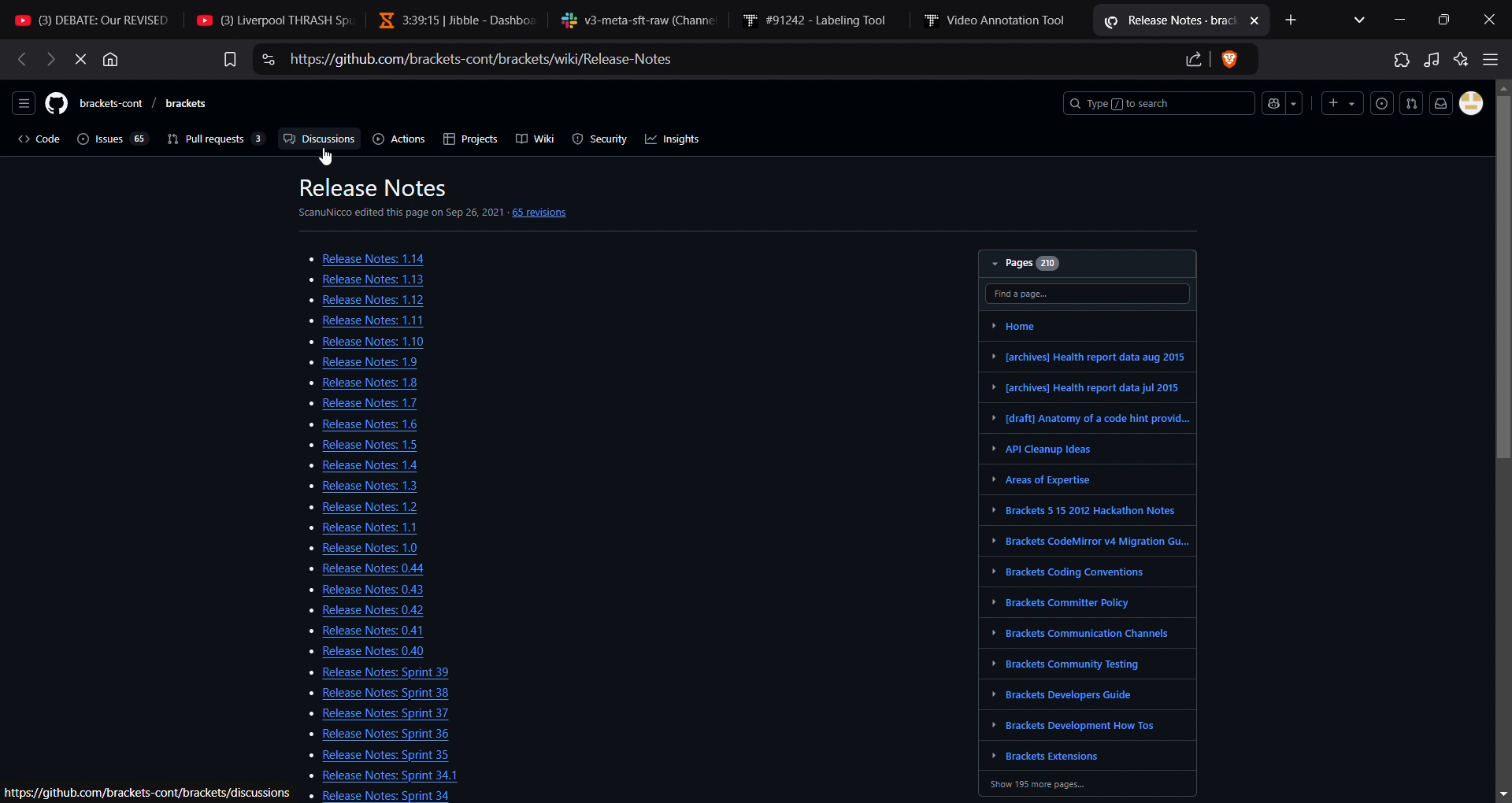  Describe the element at coordinates (329, 157) in the screenshot. I see `cursor ` at that location.